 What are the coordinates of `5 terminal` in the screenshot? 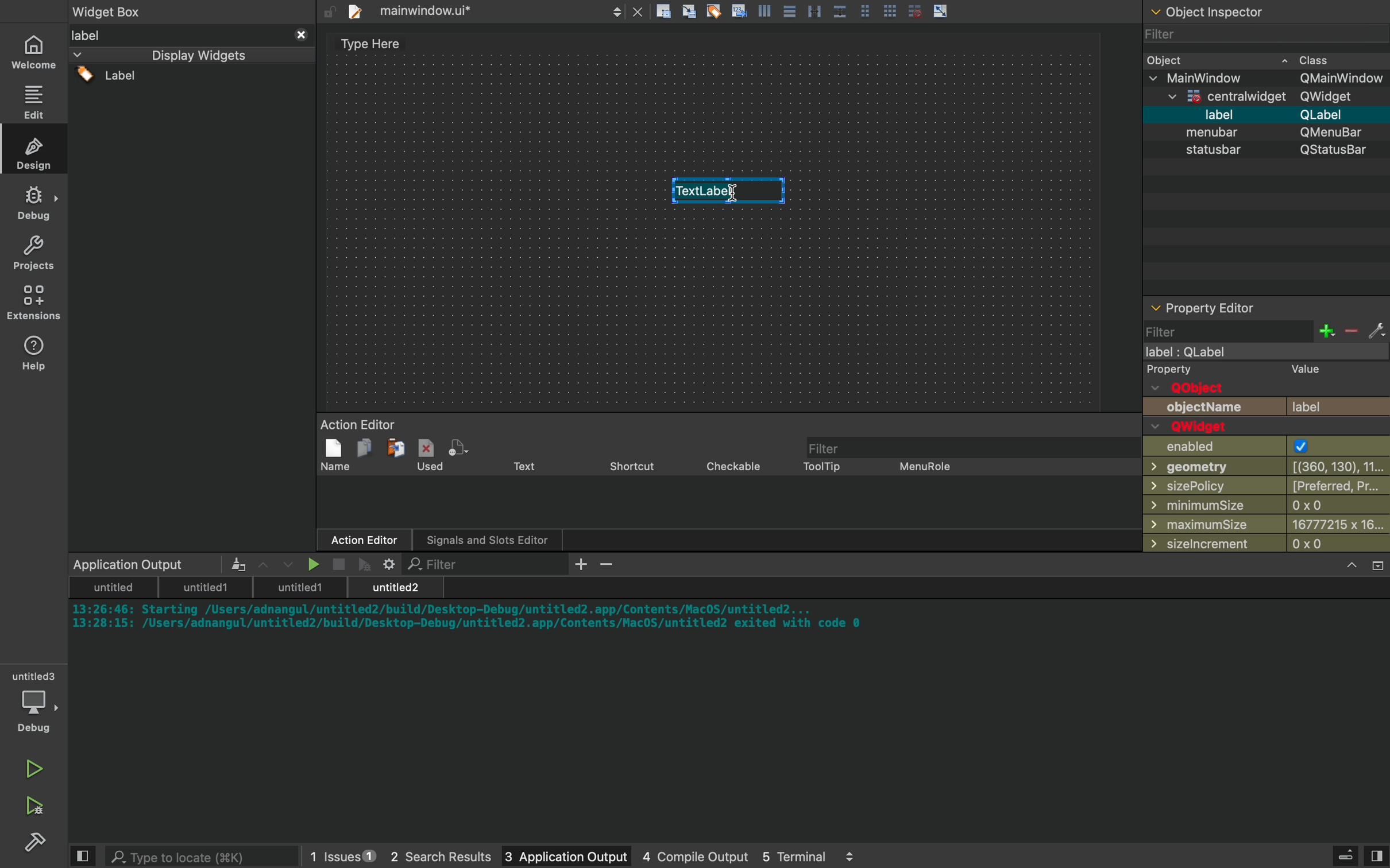 It's located at (808, 856).